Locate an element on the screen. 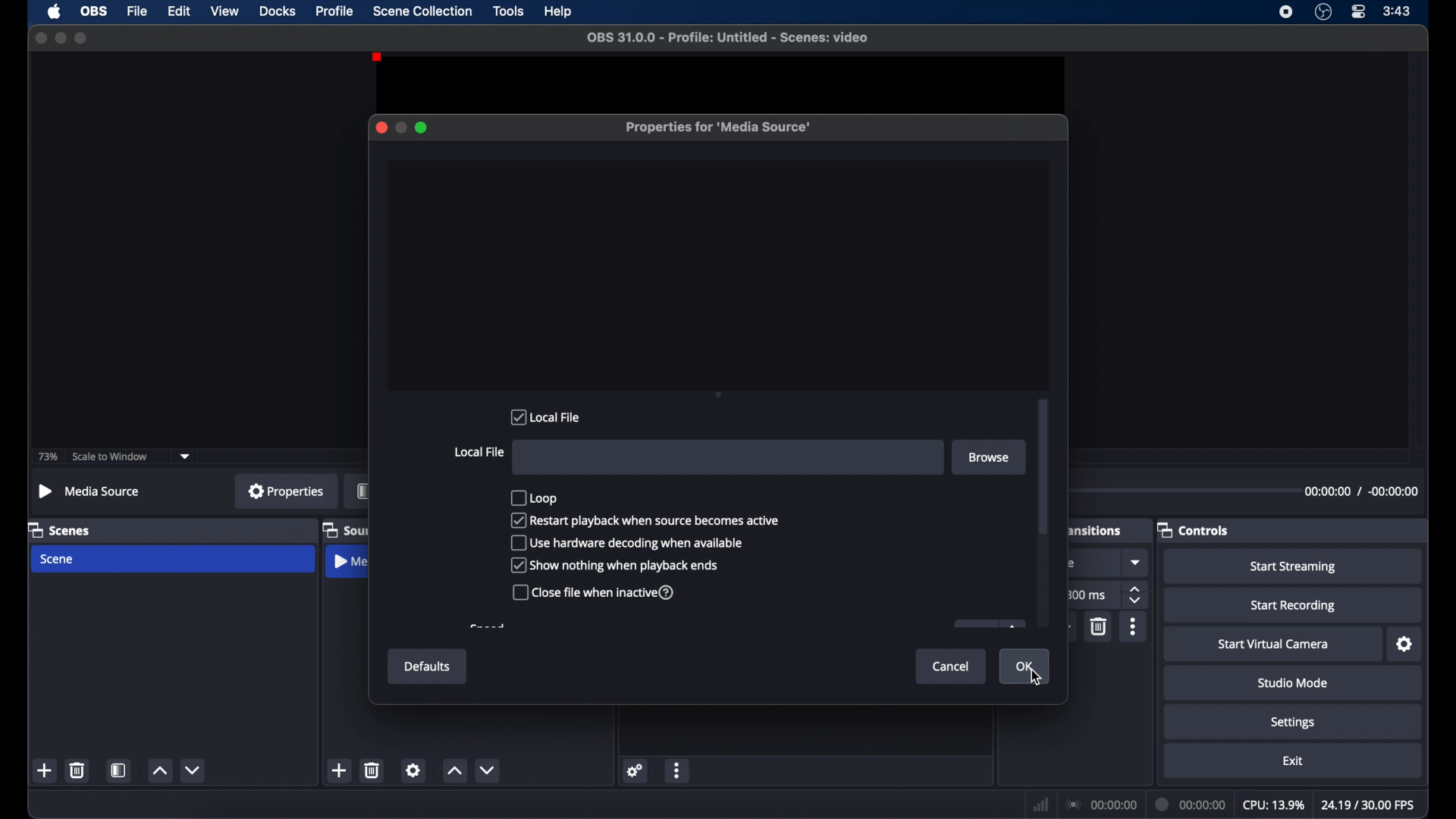 The image size is (1456, 819). delete is located at coordinates (373, 770).